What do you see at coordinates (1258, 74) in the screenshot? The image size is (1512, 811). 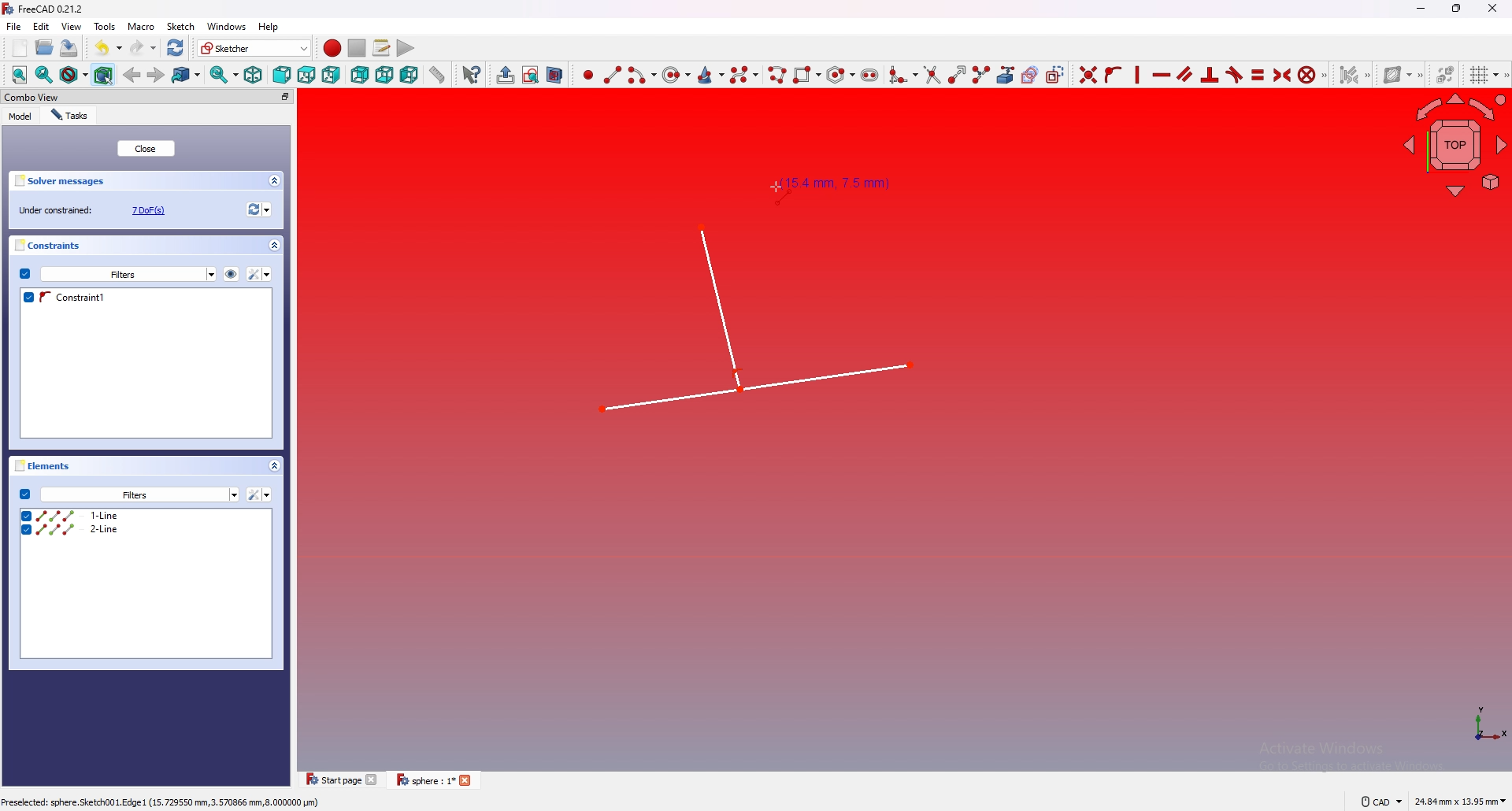 I see `Constrain equal` at bounding box center [1258, 74].